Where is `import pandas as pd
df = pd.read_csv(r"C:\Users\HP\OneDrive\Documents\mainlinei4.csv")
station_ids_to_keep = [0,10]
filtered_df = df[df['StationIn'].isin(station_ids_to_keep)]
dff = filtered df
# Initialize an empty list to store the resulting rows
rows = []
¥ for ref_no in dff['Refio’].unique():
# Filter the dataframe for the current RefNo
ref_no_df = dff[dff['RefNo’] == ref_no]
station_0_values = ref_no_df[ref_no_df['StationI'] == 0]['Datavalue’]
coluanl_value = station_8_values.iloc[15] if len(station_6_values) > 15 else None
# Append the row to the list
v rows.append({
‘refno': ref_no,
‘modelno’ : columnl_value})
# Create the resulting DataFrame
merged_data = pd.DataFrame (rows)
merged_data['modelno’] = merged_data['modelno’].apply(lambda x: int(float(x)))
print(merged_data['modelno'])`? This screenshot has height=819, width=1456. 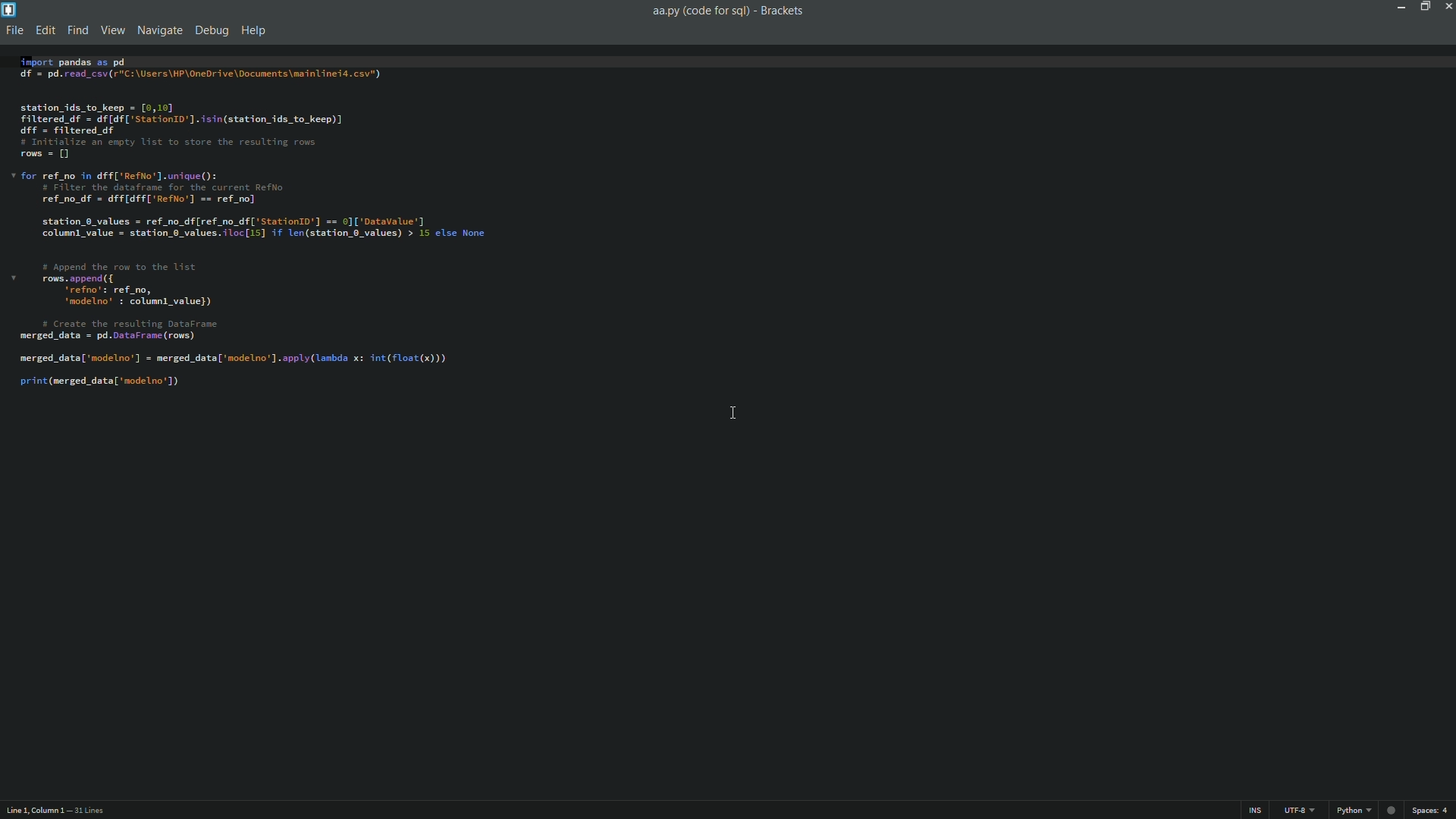
import pandas as pd
df = pd.read_csv(r"C:\Users\HP\OneDrive\Documents\mainlinei4.csv")
station_ids_to_keep = [0,10]
filtered_df = df[df['StationIn'].isin(station_ids_to_keep)]
dff = filtered df
# Initialize an empty list to store the resulting rows
rows = []
¥ for ref_no in dff['Refio’].unique():
# Filter the dataframe for the current RefNo
ref_no_df = dff[dff['RefNo’] == ref_no]
station_0_values = ref_no_df[ref_no_df['StationI'] == 0]['Datavalue’]
coluanl_value = station_8_values.iloc[15] if len(station_6_values) > 15 else None
# Append the row to the list
v rows.append({
‘refno': ref_no,
‘modelno’ : columnl_value})
# Create the resulting DataFrame
merged_data = pd.DataFrame (rows)
merged_data['modelno’] = merged_data['modelno’].apply(lambda x: int(float(x)))
print(merged_data['modelno']) is located at coordinates (720, 221).